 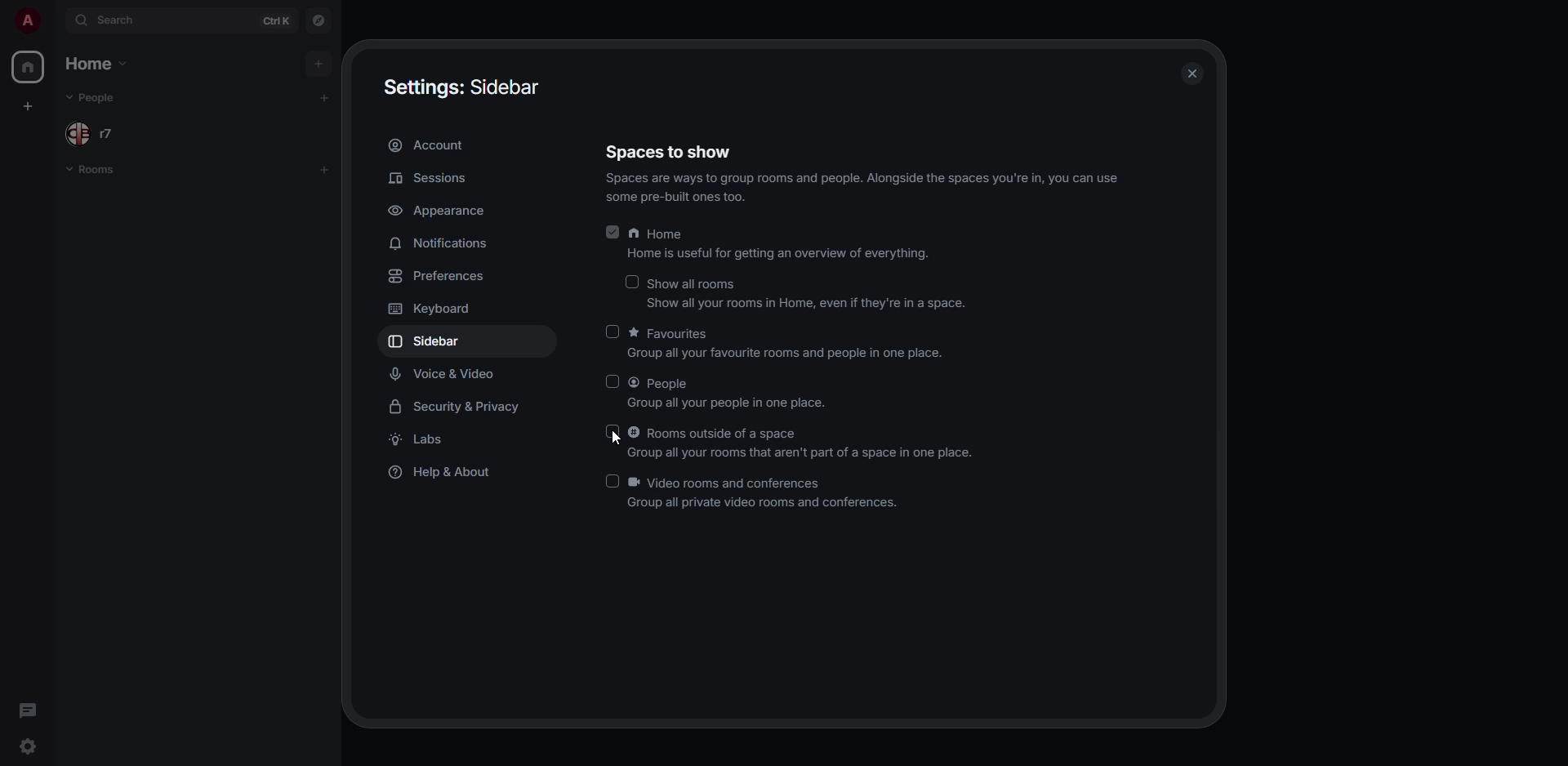 I want to click on click to enable, so click(x=612, y=381).